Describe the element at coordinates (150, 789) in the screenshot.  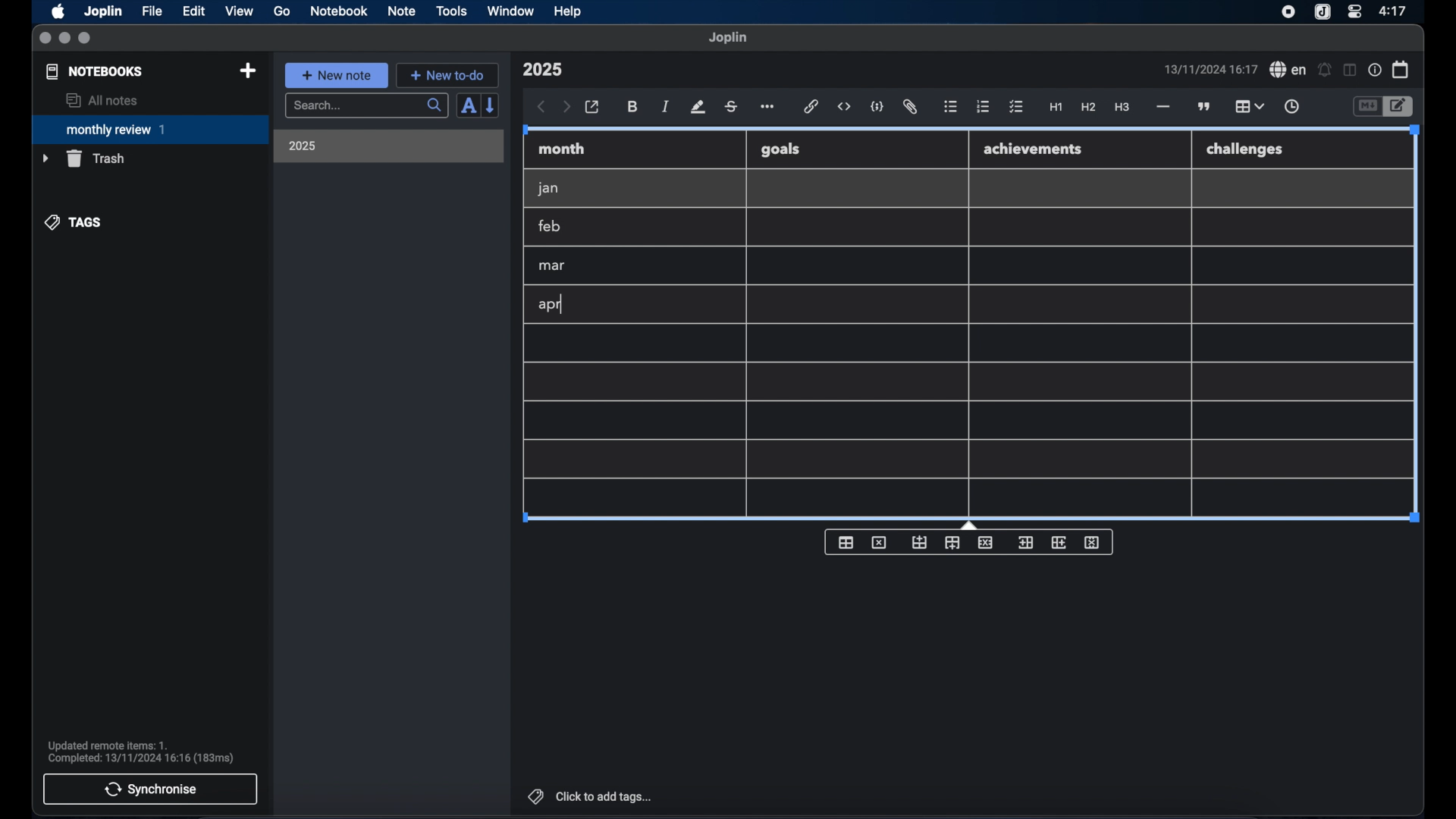
I see `synchronise` at that location.